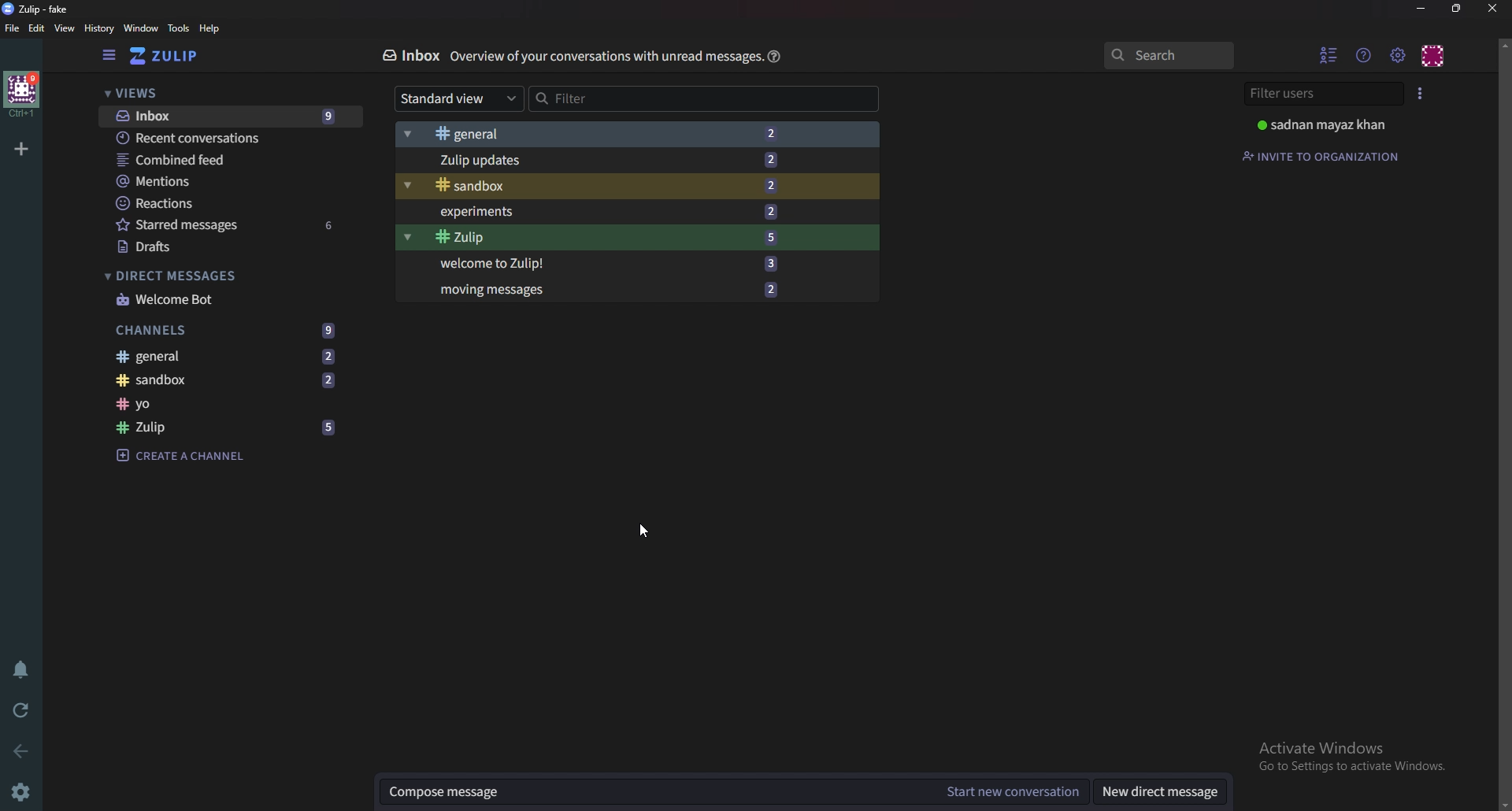 This screenshot has height=811, width=1512. What do you see at coordinates (22, 752) in the screenshot?
I see `back` at bounding box center [22, 752].